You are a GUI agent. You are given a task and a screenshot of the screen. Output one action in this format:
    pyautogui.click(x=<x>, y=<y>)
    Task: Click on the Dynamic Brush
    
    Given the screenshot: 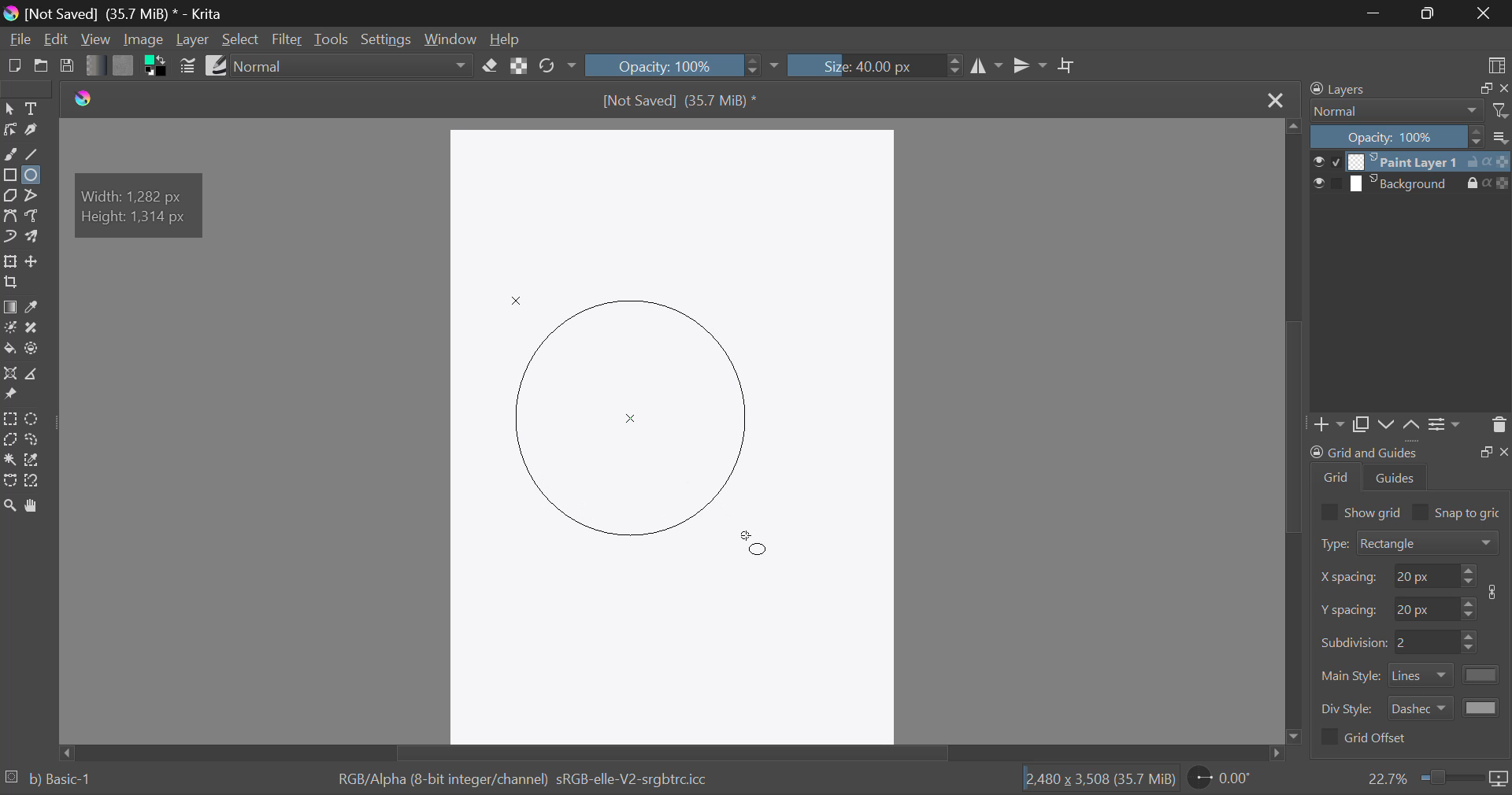 What is the action you would take?
    pyautogui.click(x=10, y=238)
    